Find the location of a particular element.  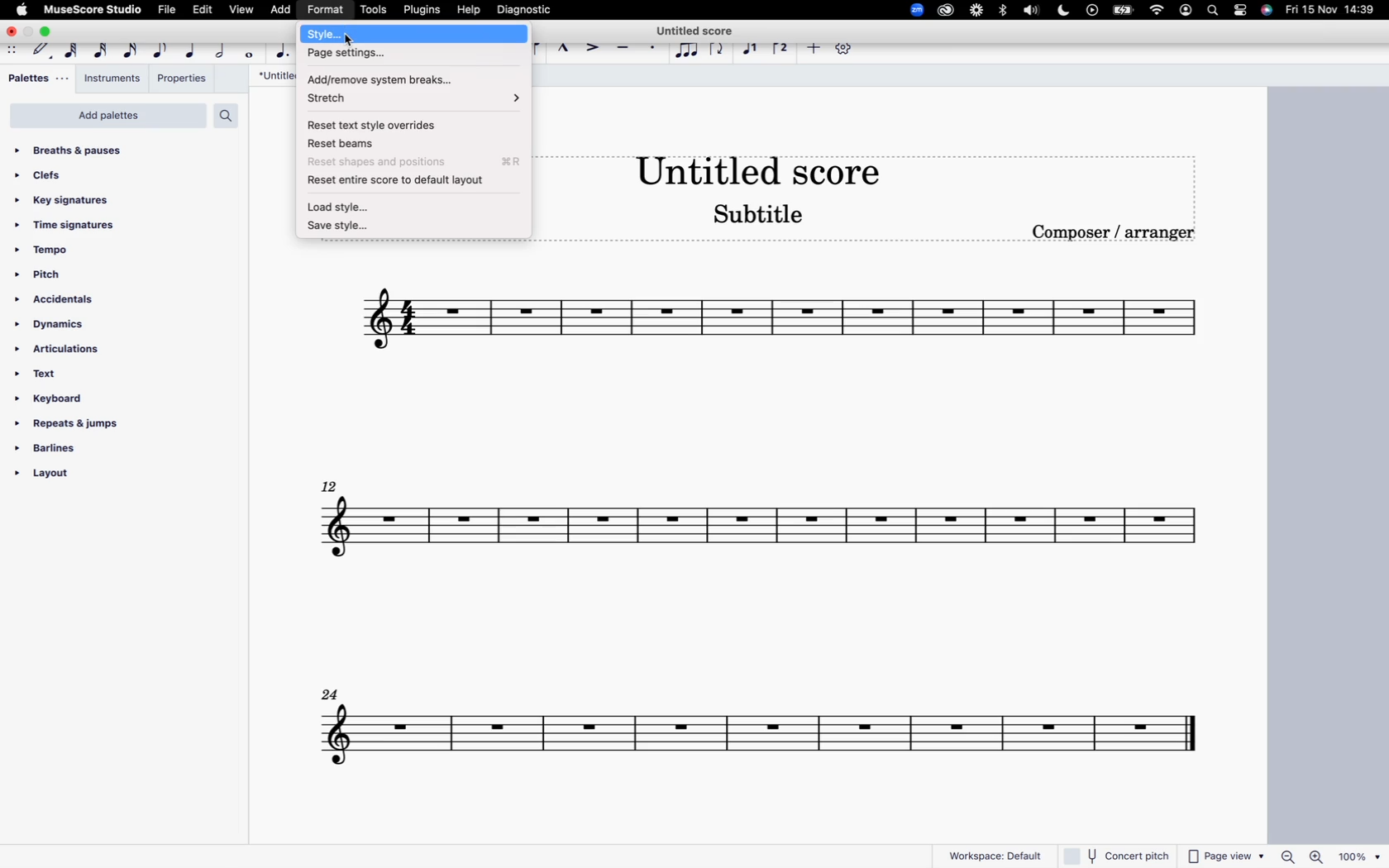

help is located at coordinates (472, 10).